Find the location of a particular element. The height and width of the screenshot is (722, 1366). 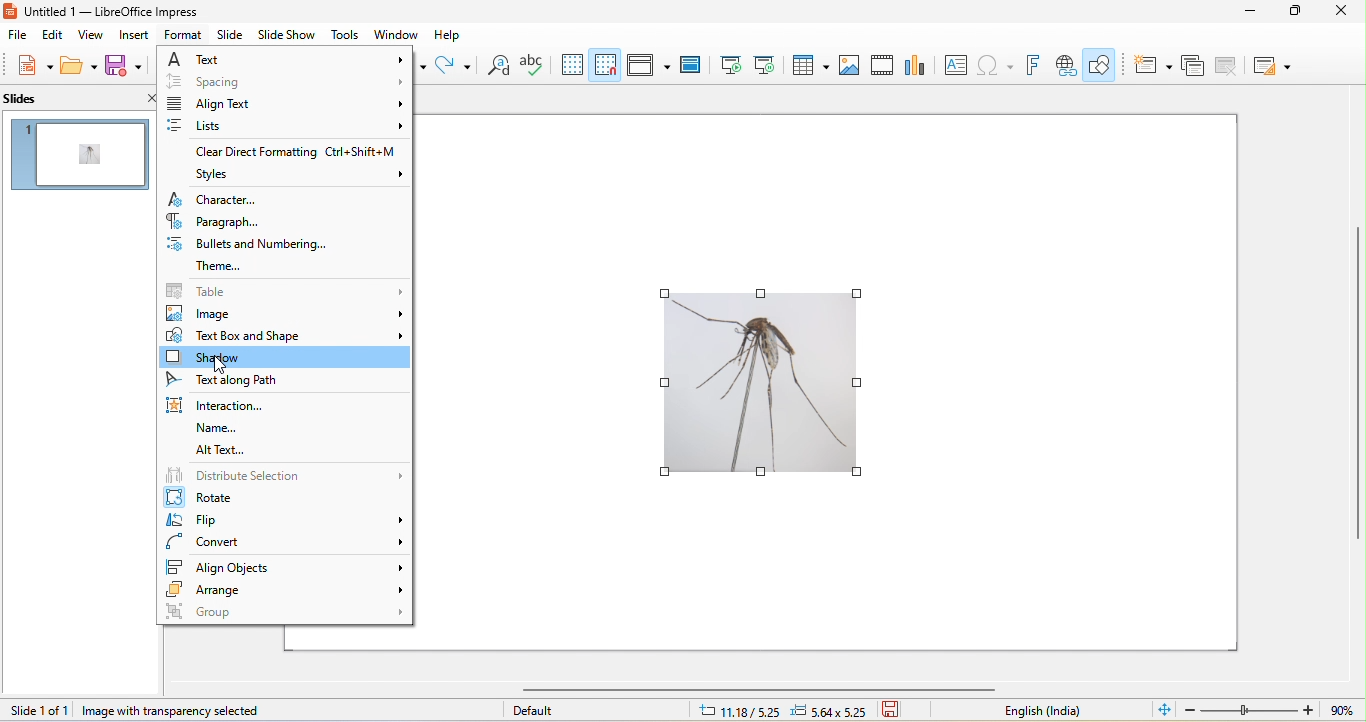

duplicate is located at coordinates (1194, 65).